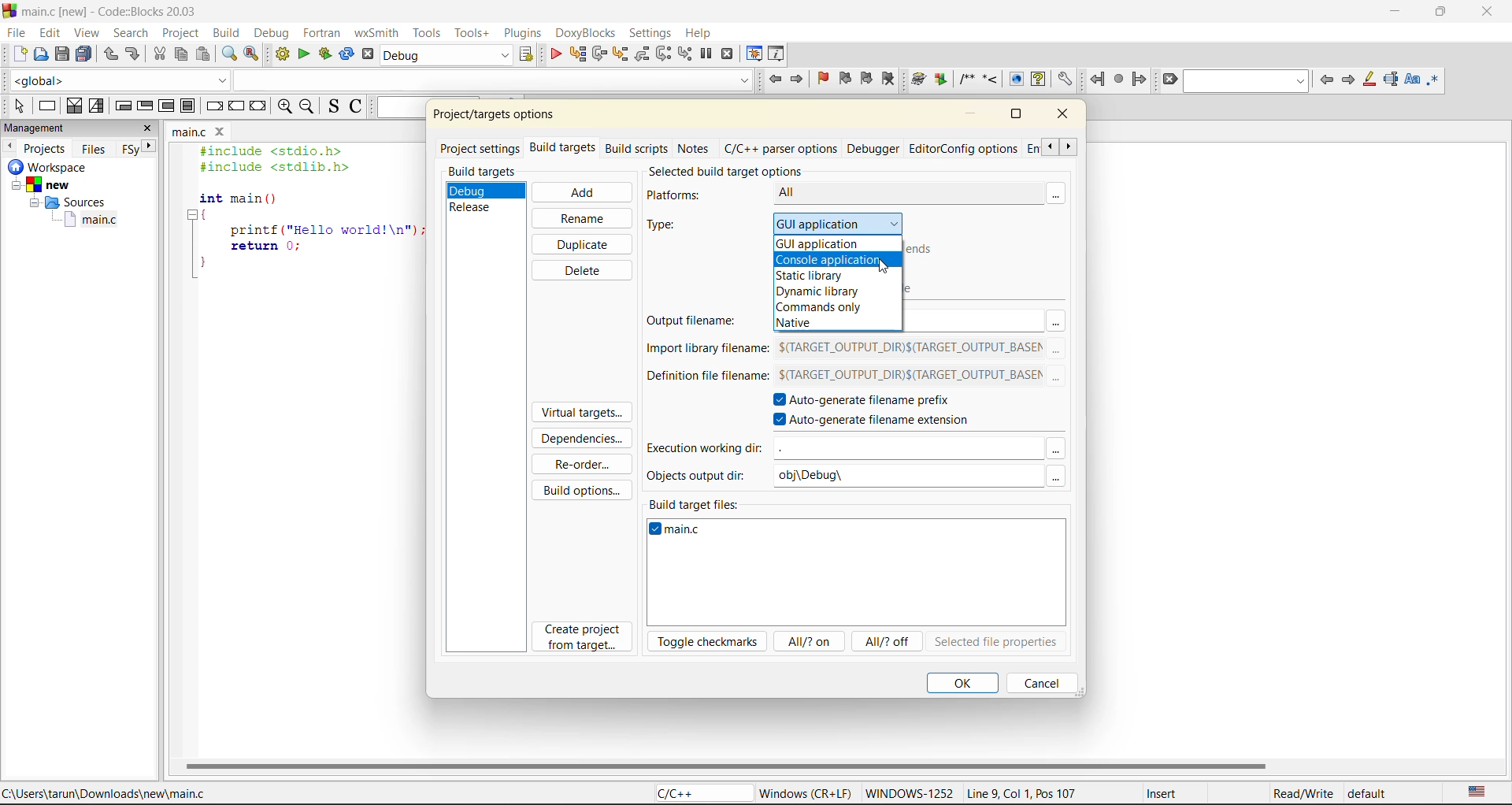  Describe the element at coordinates (94, 150) in the screenshot. I see `files` at that location.